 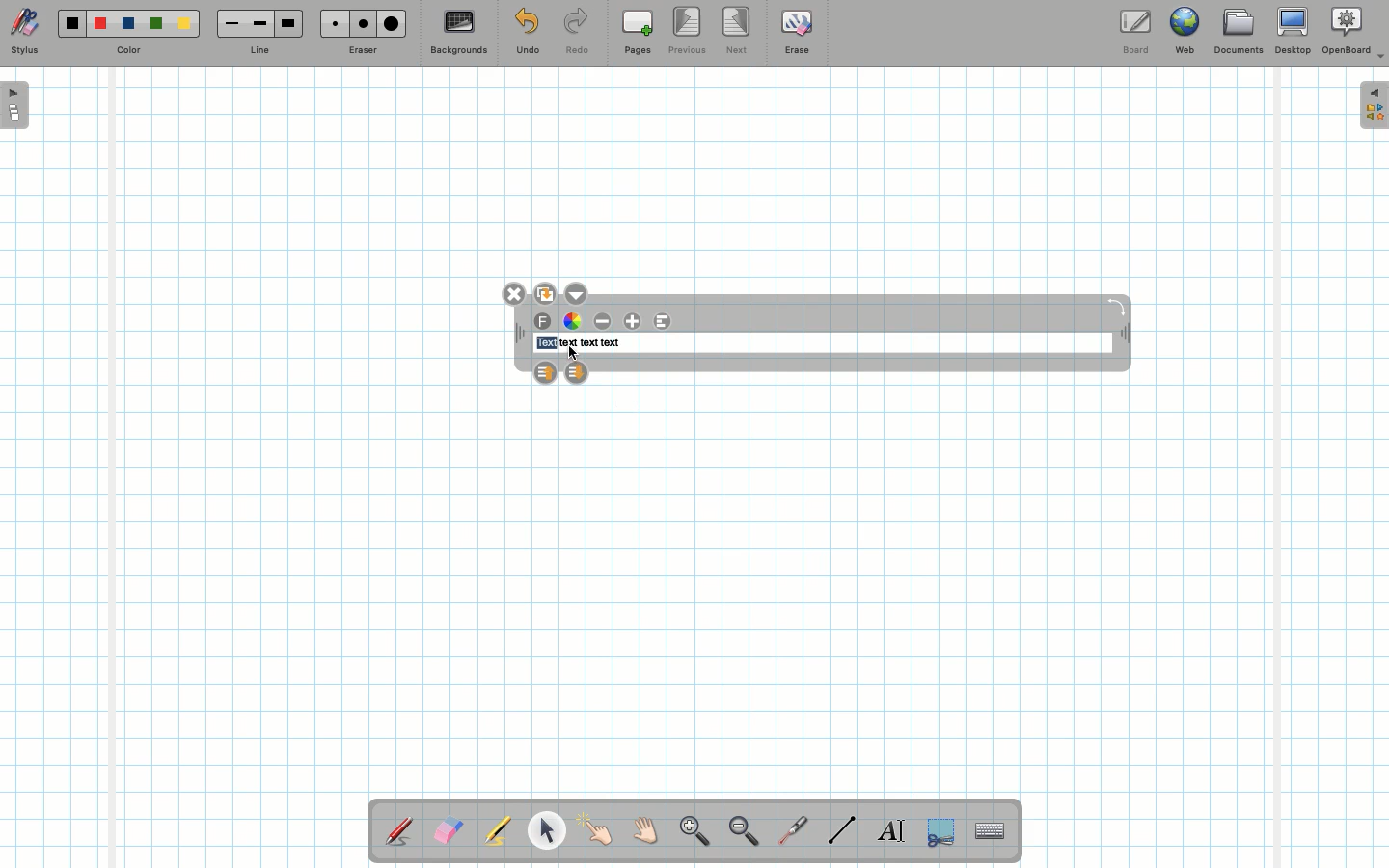 What do you see at coordinates (573, 354) in the screenshot?
I see `cursor` at bounding box center [573, 354].